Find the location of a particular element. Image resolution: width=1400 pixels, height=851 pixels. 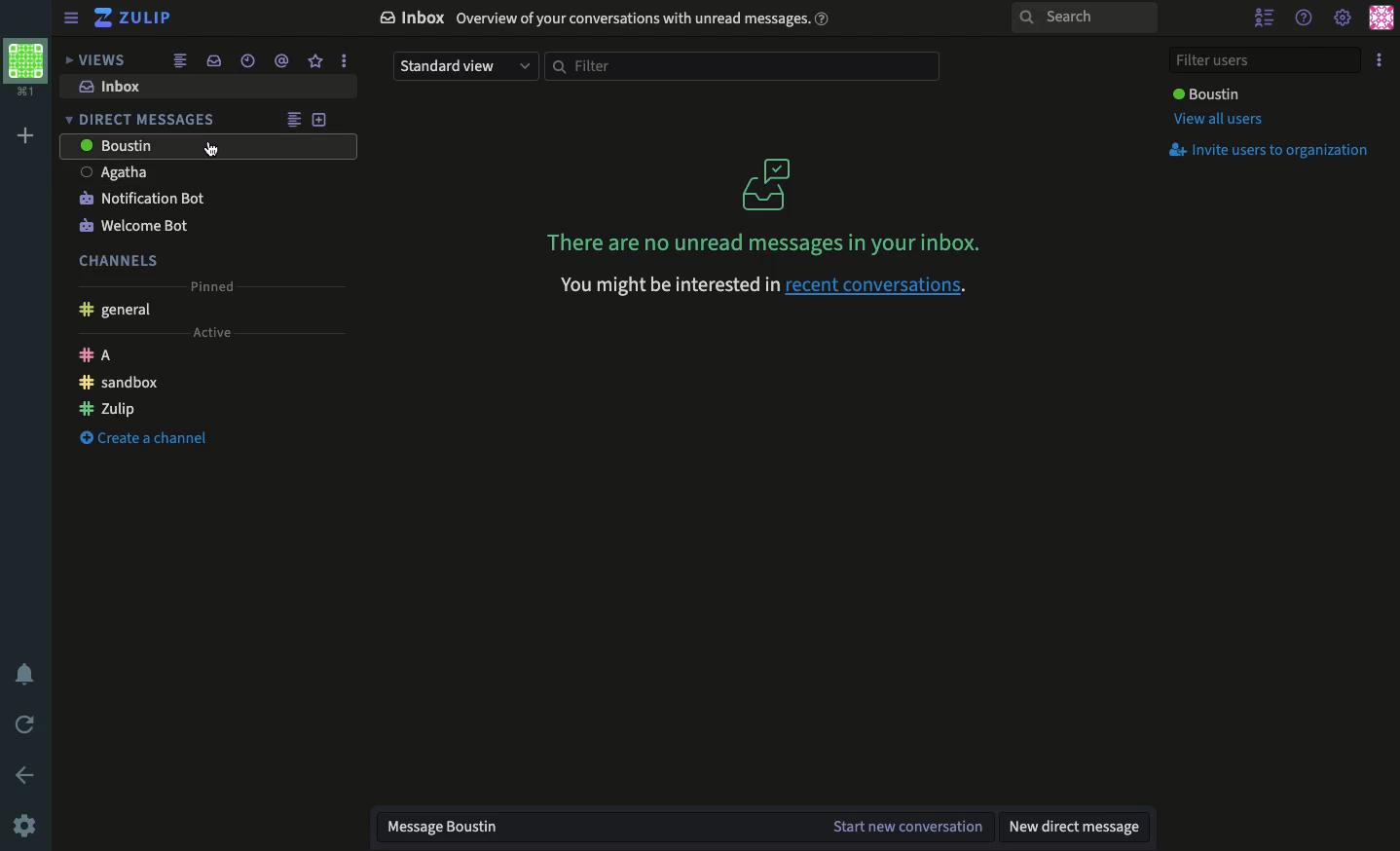

Active is located at coordinates (211, 332).